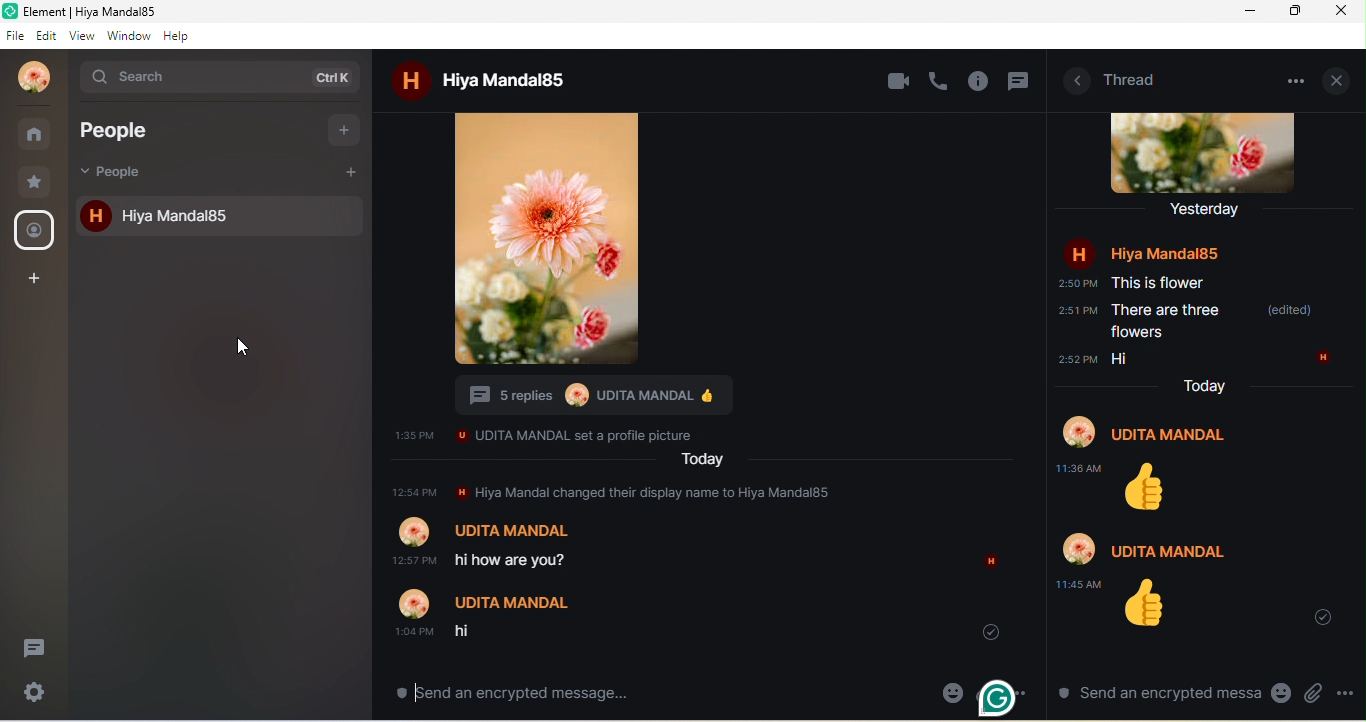 This screenshot has width=1366, height=722. Describe the element at coordinates (37, 134) in the screenshot. I see `rooms` at that location.